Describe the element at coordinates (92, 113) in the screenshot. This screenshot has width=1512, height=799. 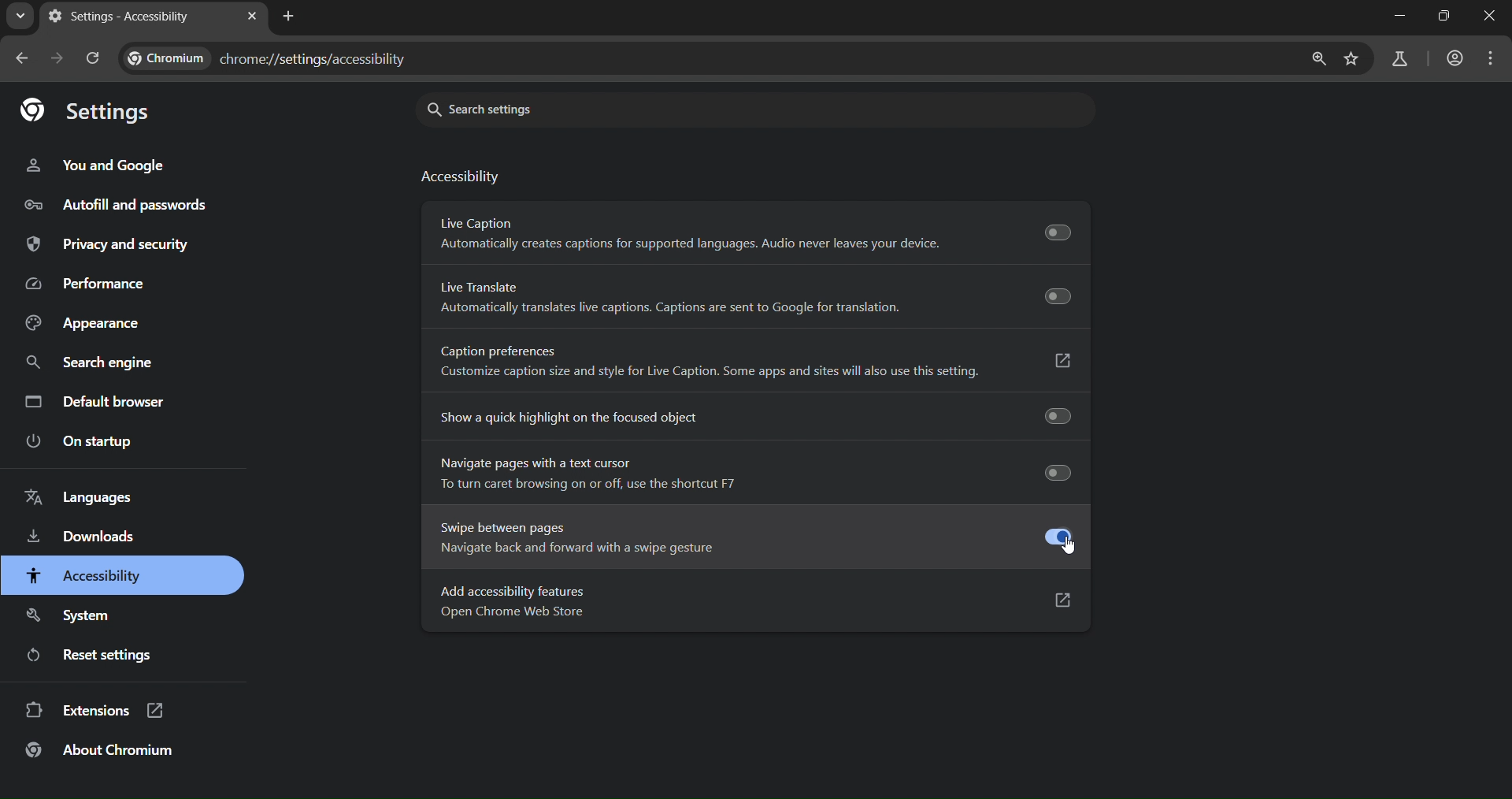
I see `settings` at that location.